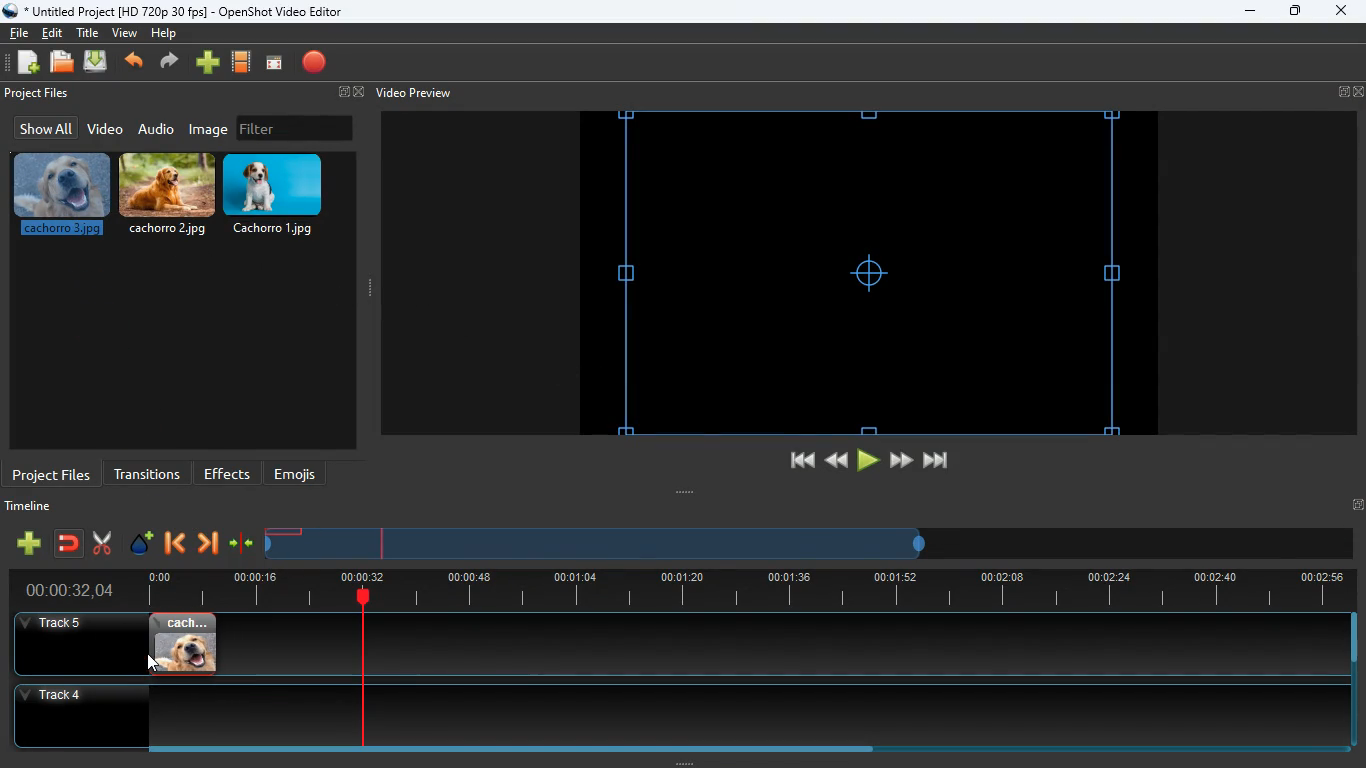  Describe the element at coordinates (170, 195) in the screenshot. I see `cachorro.2.jpg` at that location.